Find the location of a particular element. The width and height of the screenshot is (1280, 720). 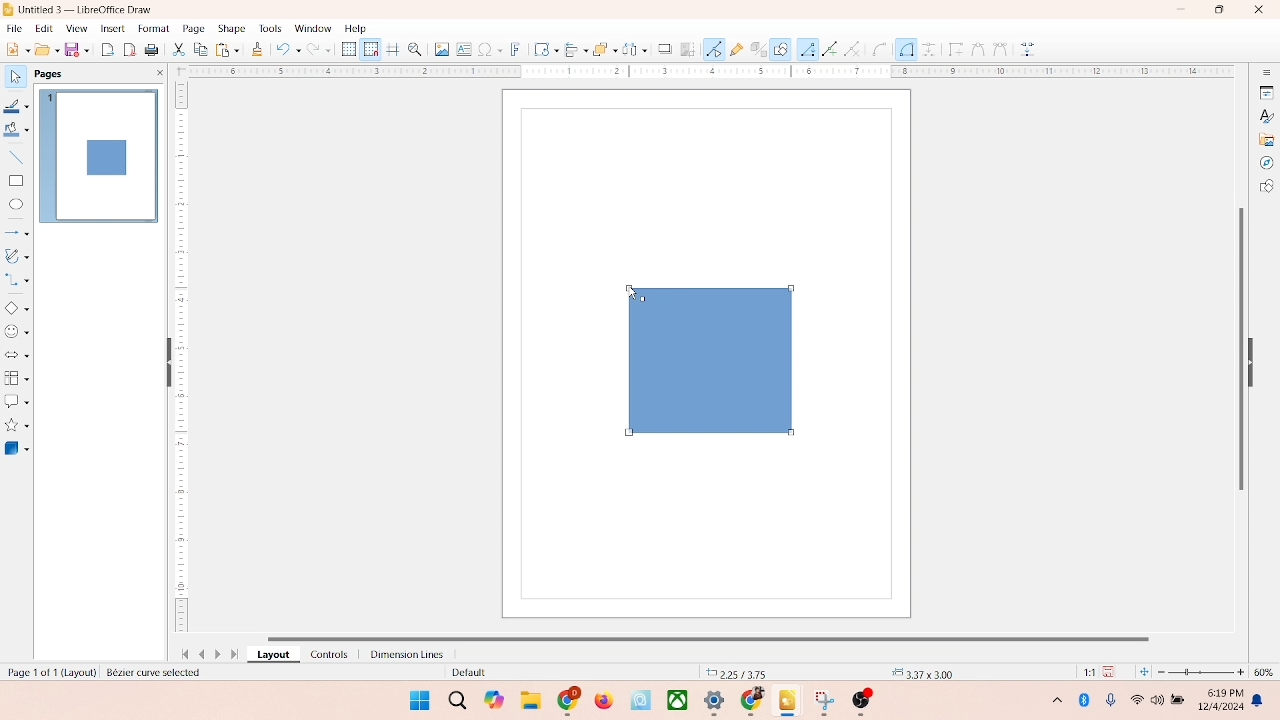

flowchart is located at coordinates (16, 378).